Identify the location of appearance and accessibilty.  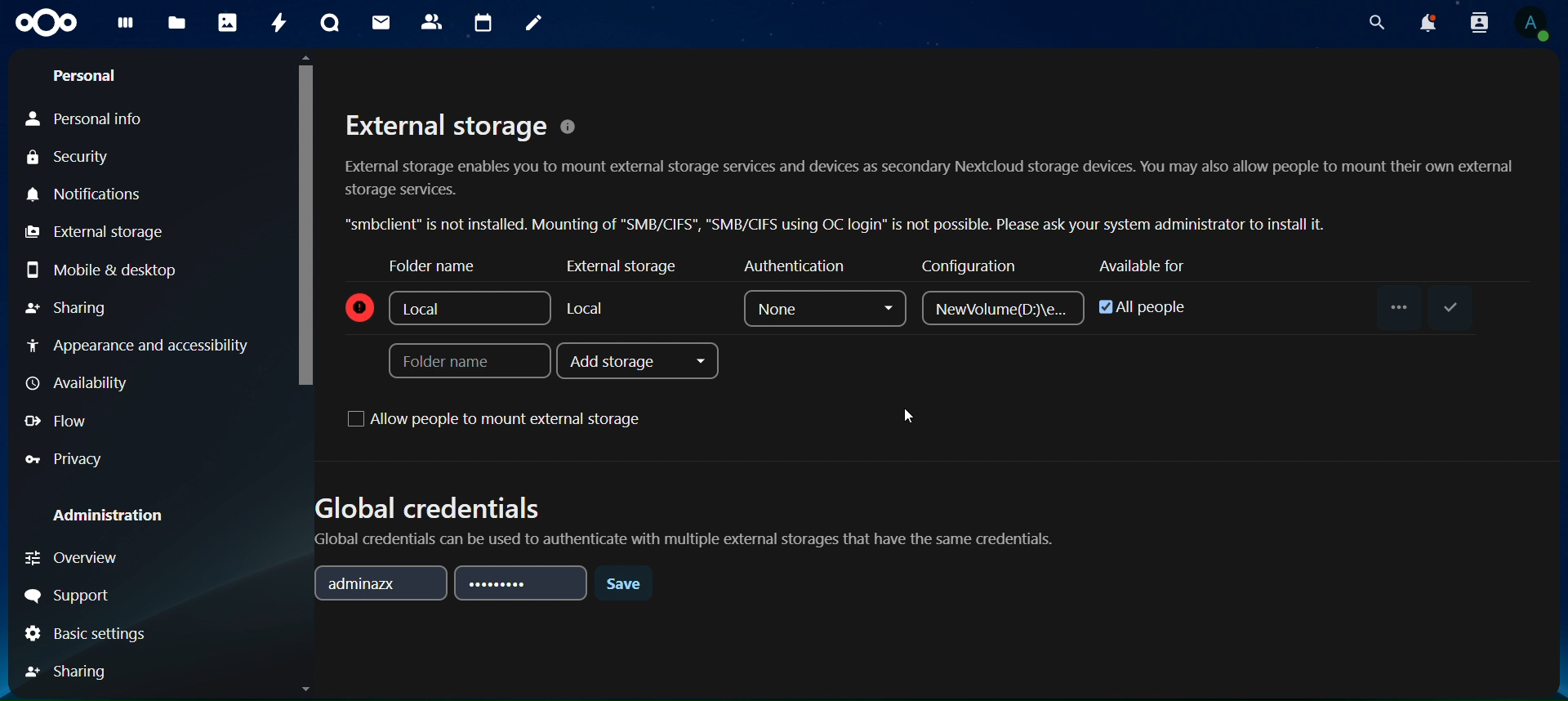
(143, 346).